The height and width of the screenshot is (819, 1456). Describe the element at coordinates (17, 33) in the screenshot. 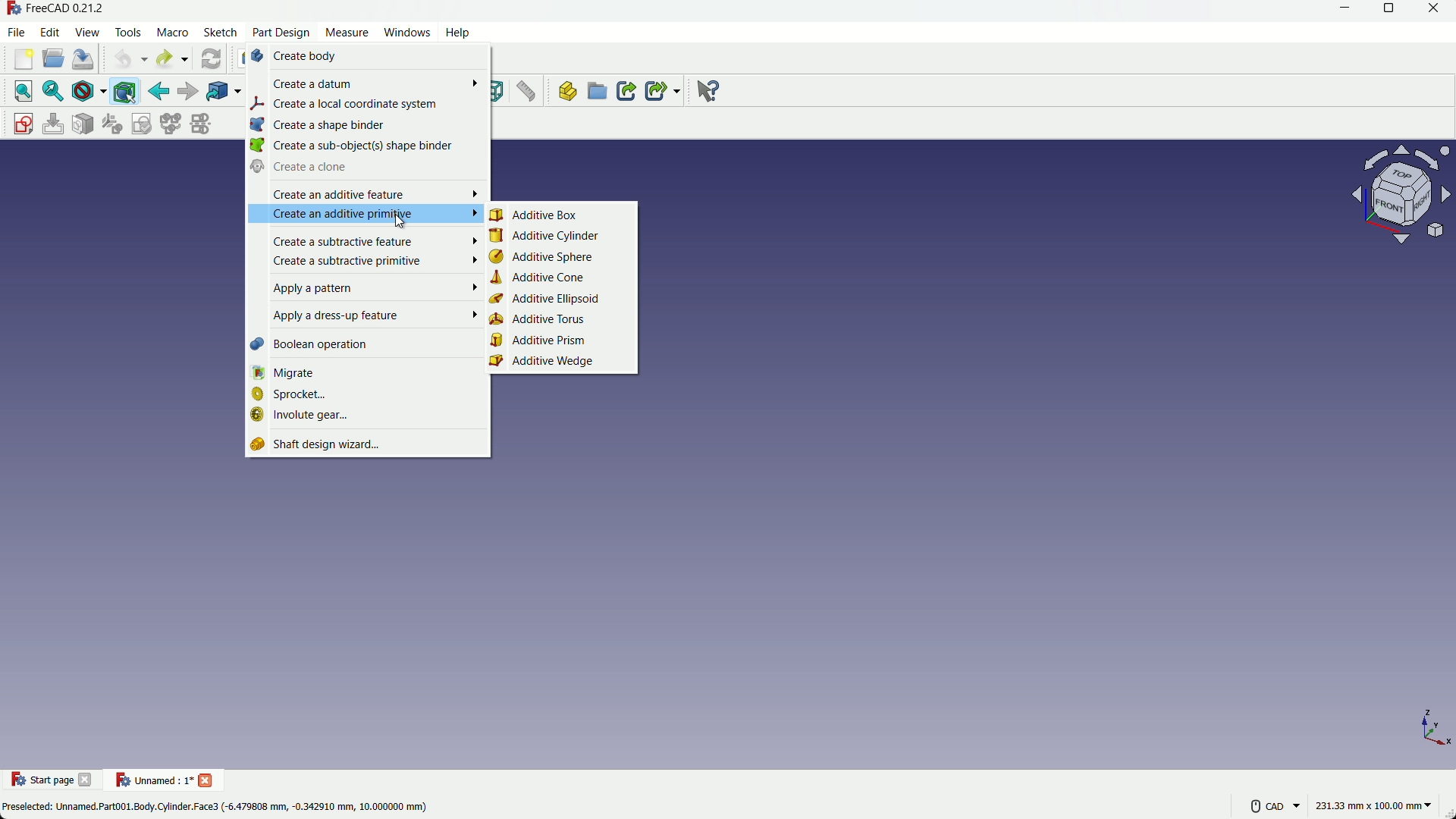

I see `file menu` at that location.